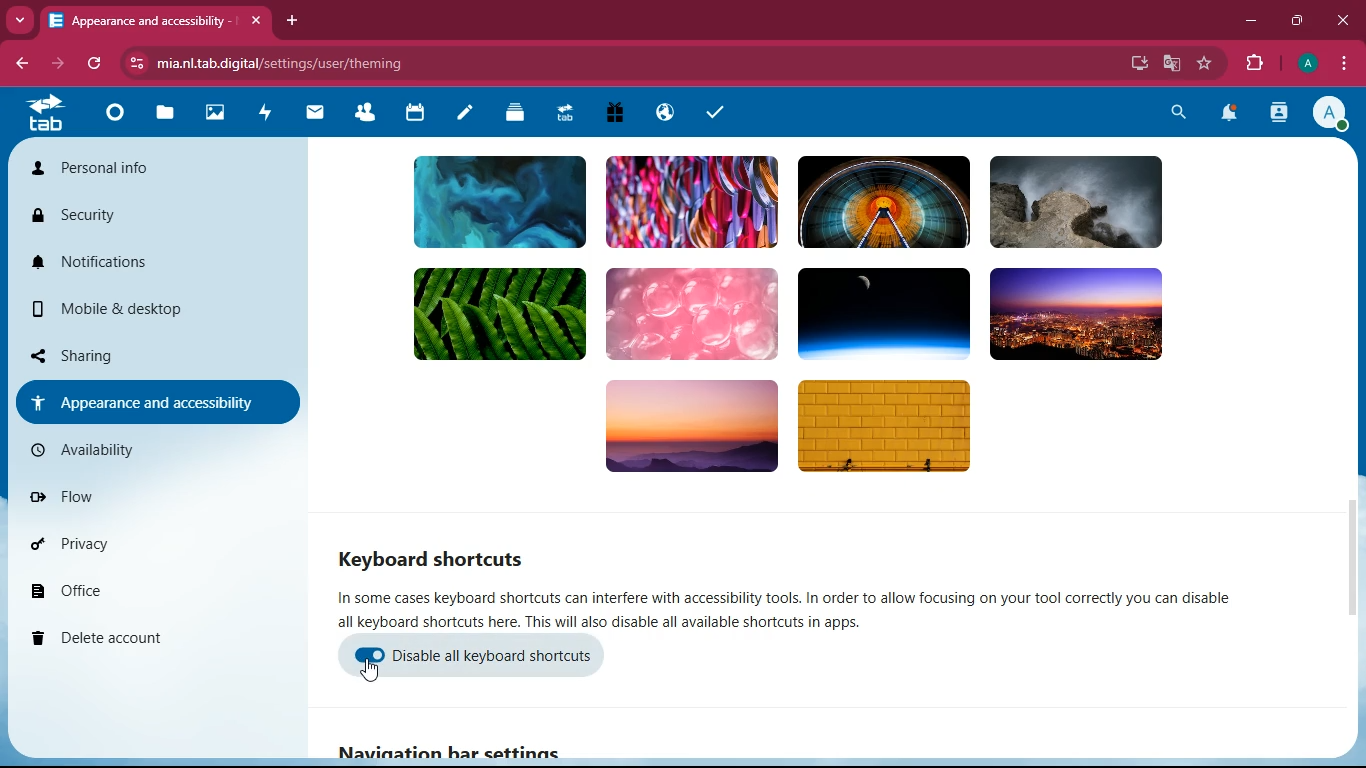  I want to click on minimize, so click(1247, 23).